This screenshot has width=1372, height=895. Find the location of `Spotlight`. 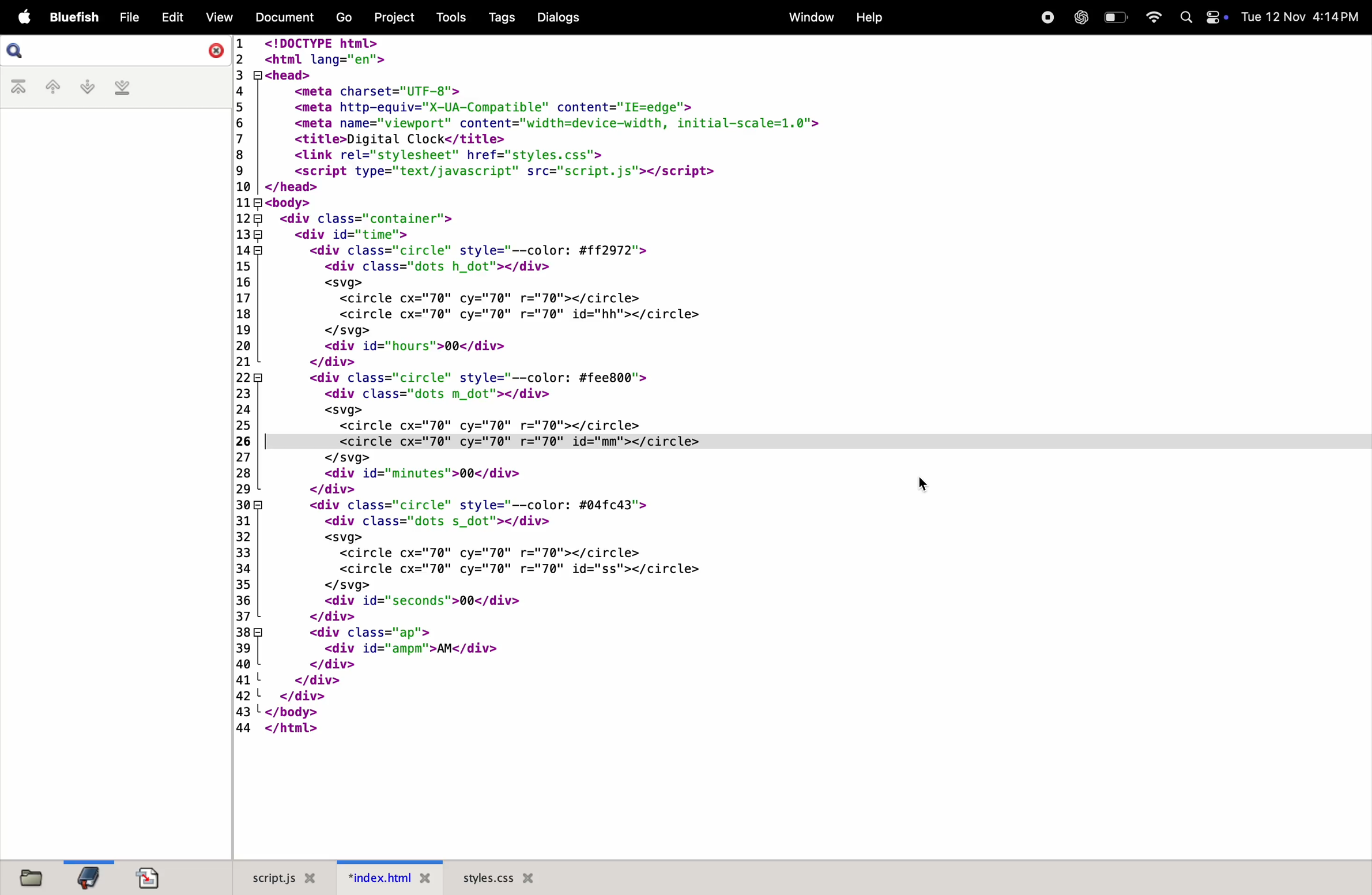

Spotlight is located at coordinates (1185, 18).